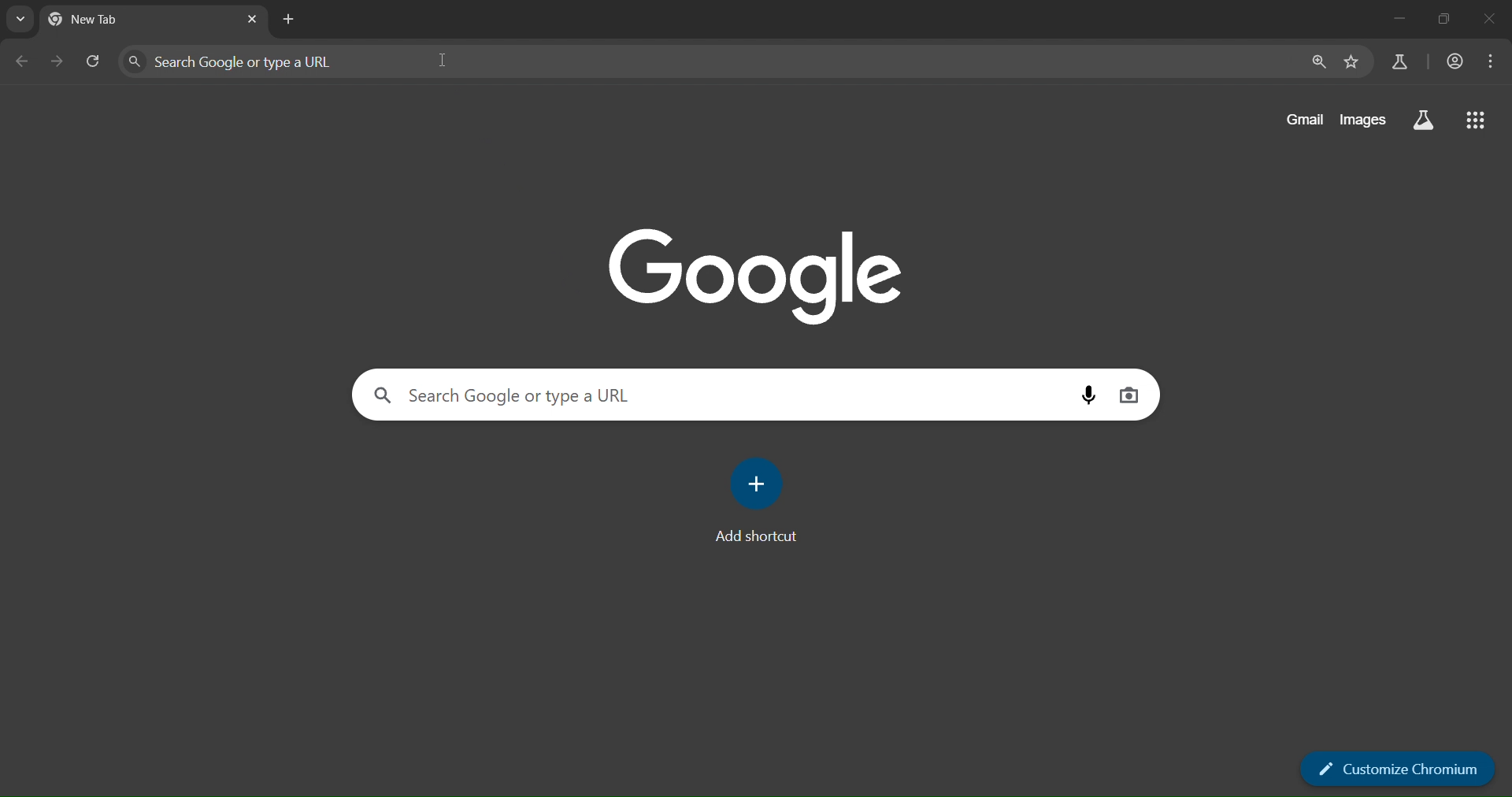  I want to click on restore down, so click(1442, 18).